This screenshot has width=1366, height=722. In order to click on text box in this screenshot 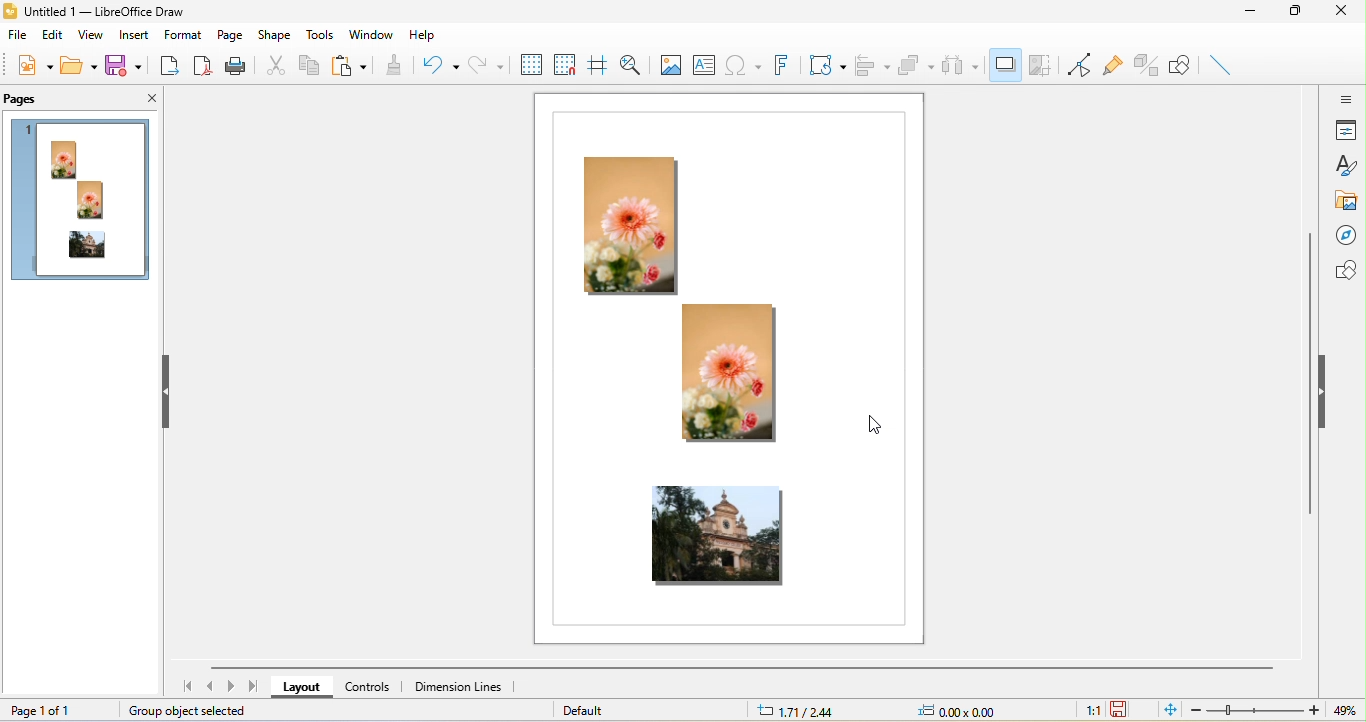, I will do `click(705, 62)`.